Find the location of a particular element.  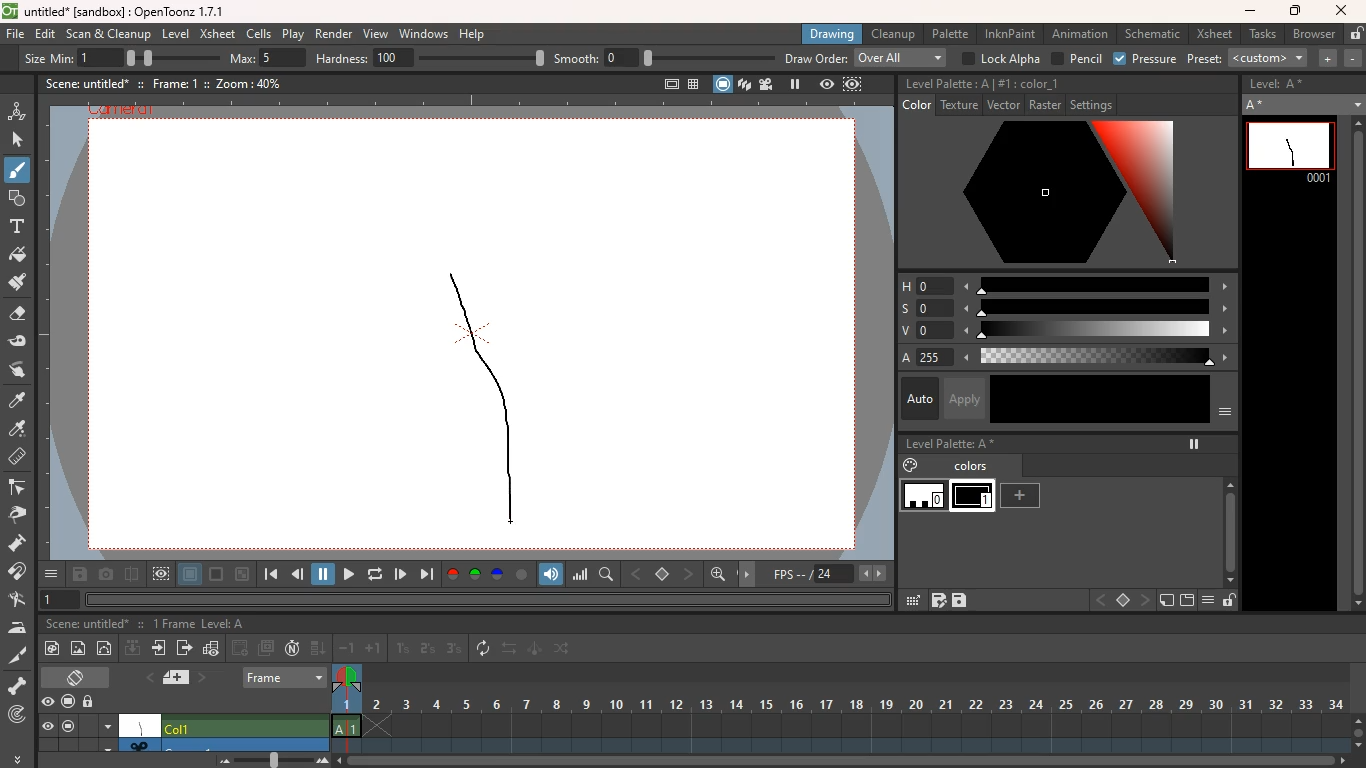

Level: A* is located at coordinates (1280, 85).